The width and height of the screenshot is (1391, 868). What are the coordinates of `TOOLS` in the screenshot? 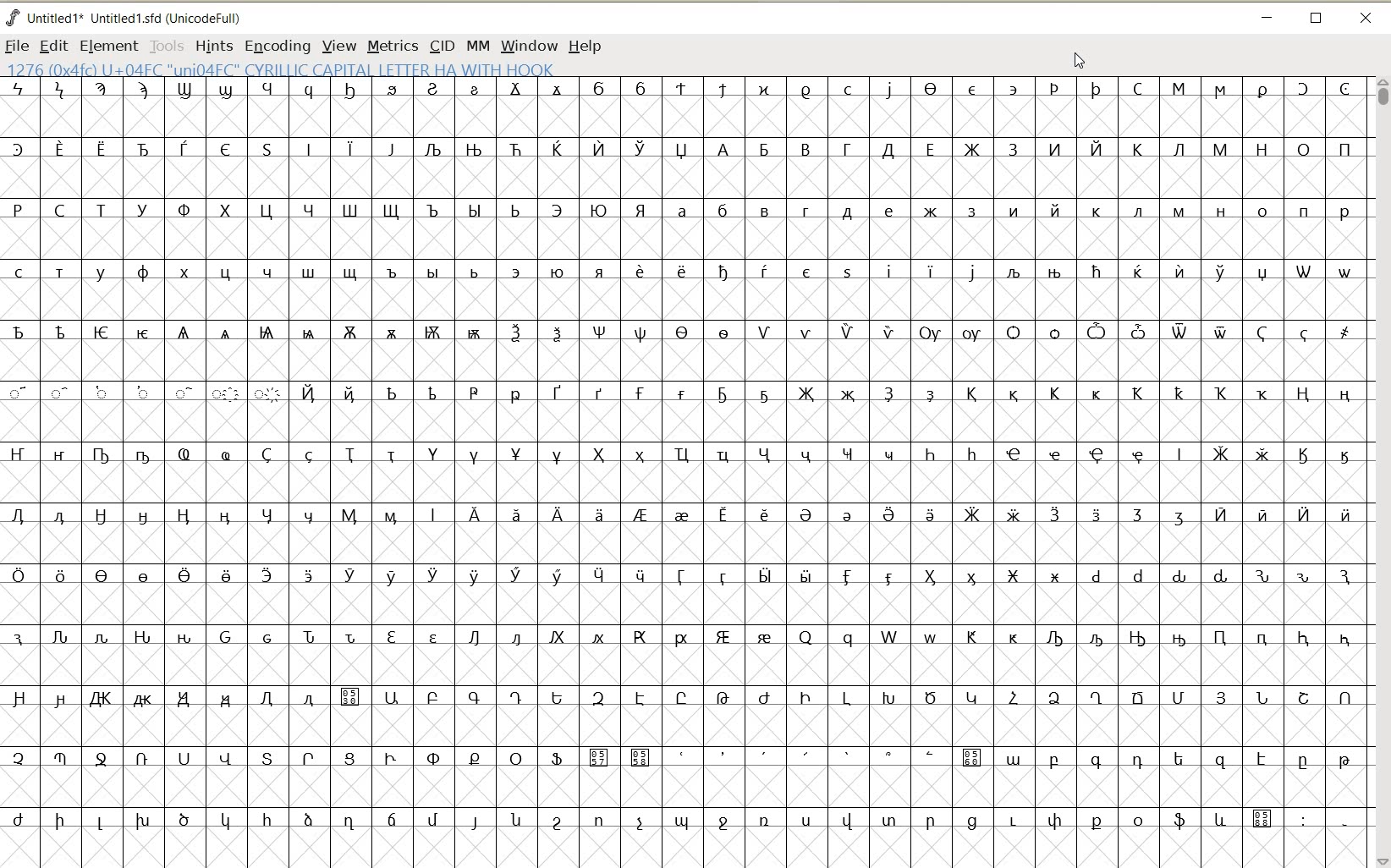 It's located at (168, 45).